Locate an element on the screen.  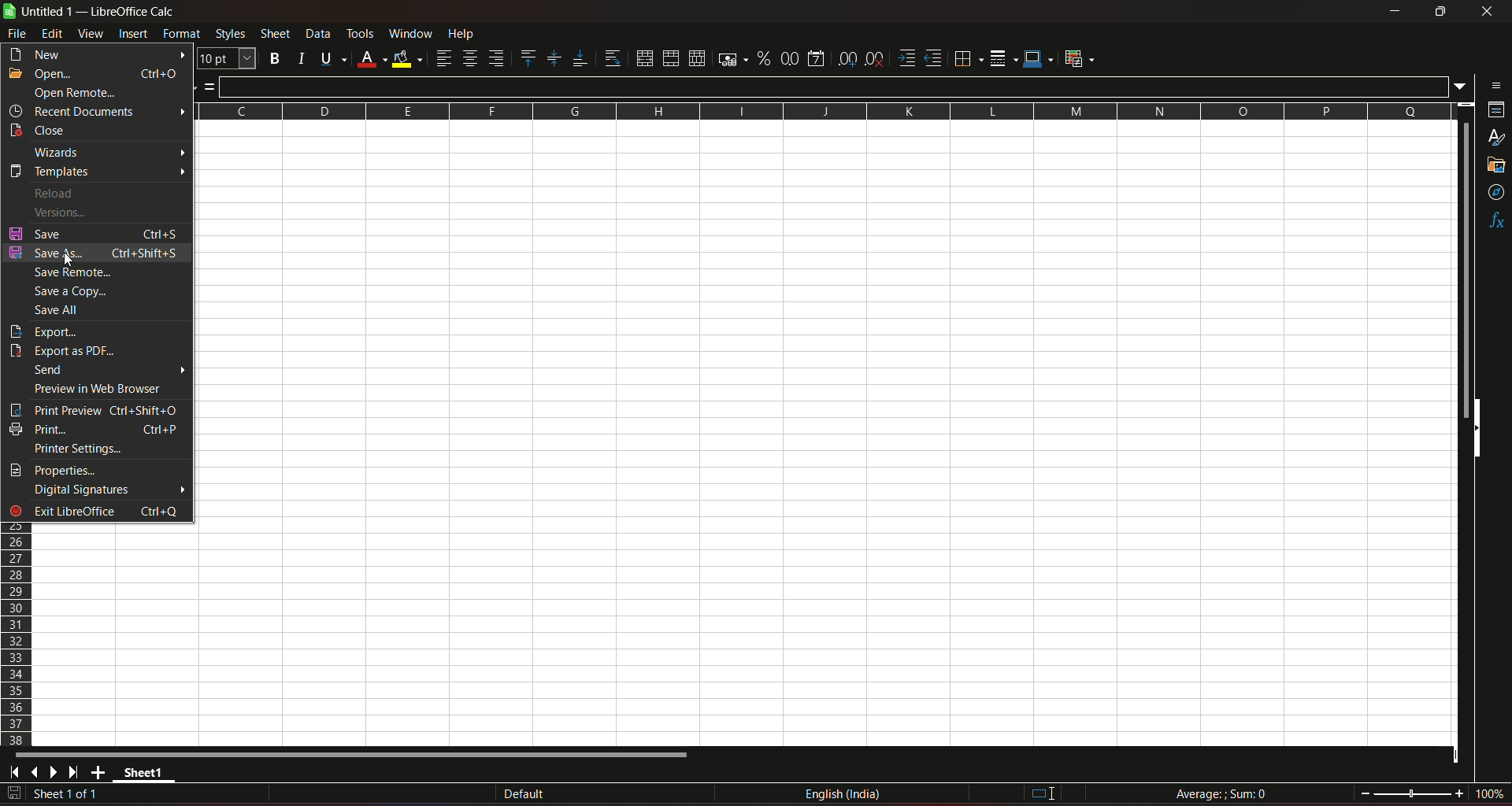
underline is located at coordinates (330, 57).